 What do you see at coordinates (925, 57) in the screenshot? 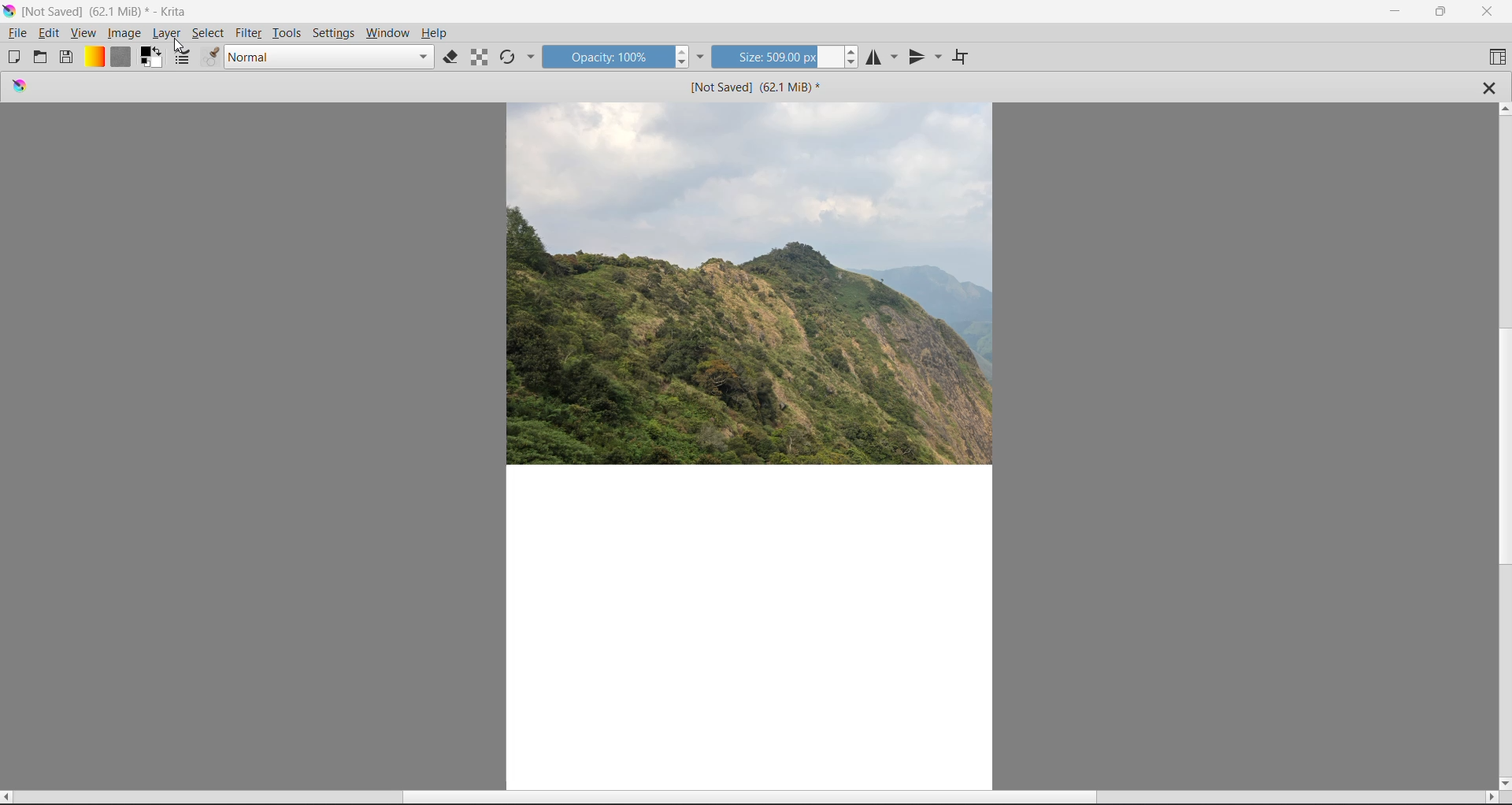
I see `Vertical Mirror Tool` at bounding box center [925, 57].